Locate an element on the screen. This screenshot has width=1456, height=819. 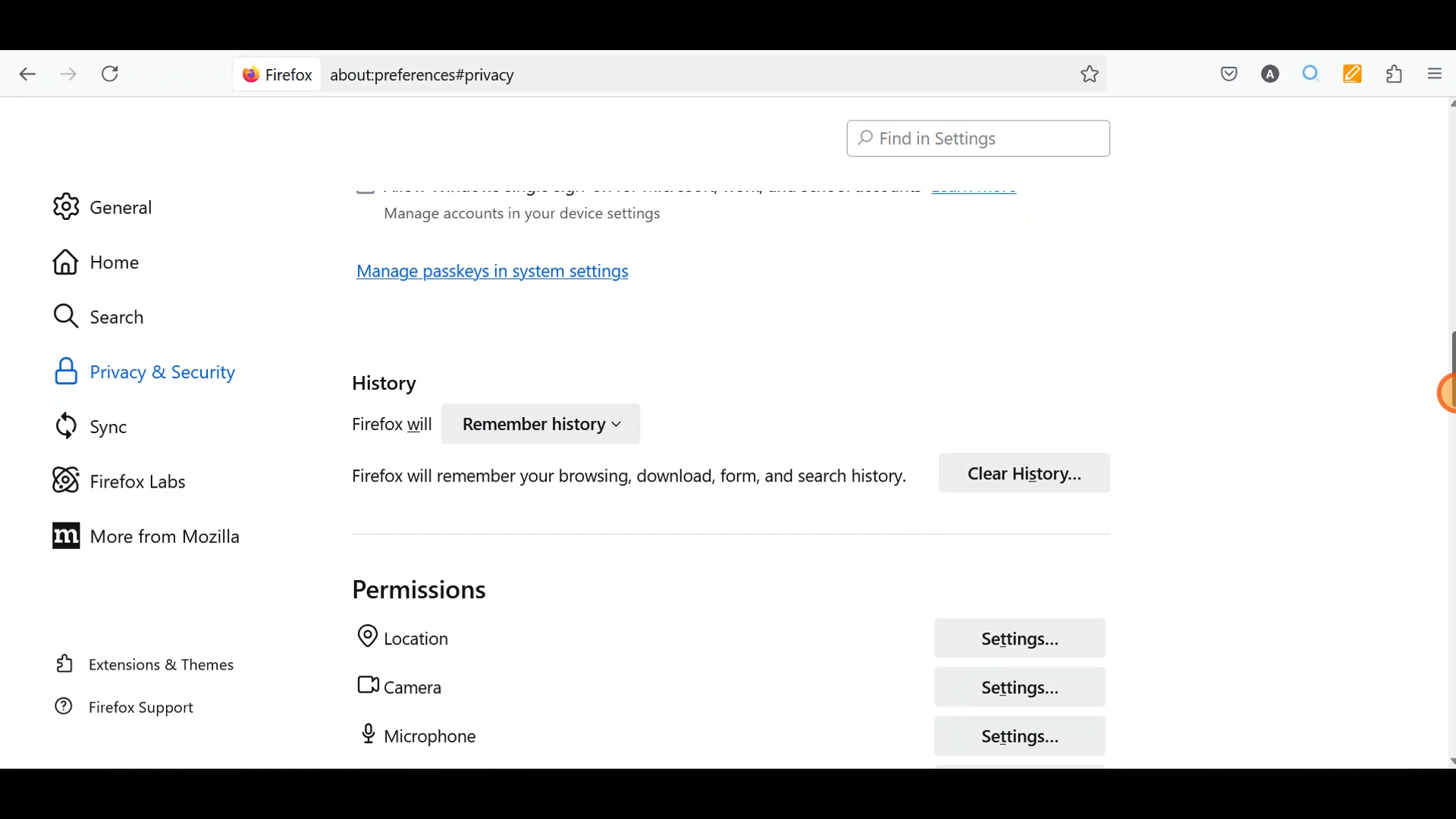
Manage passkeys in system settings is located at coordinates (510, 276).